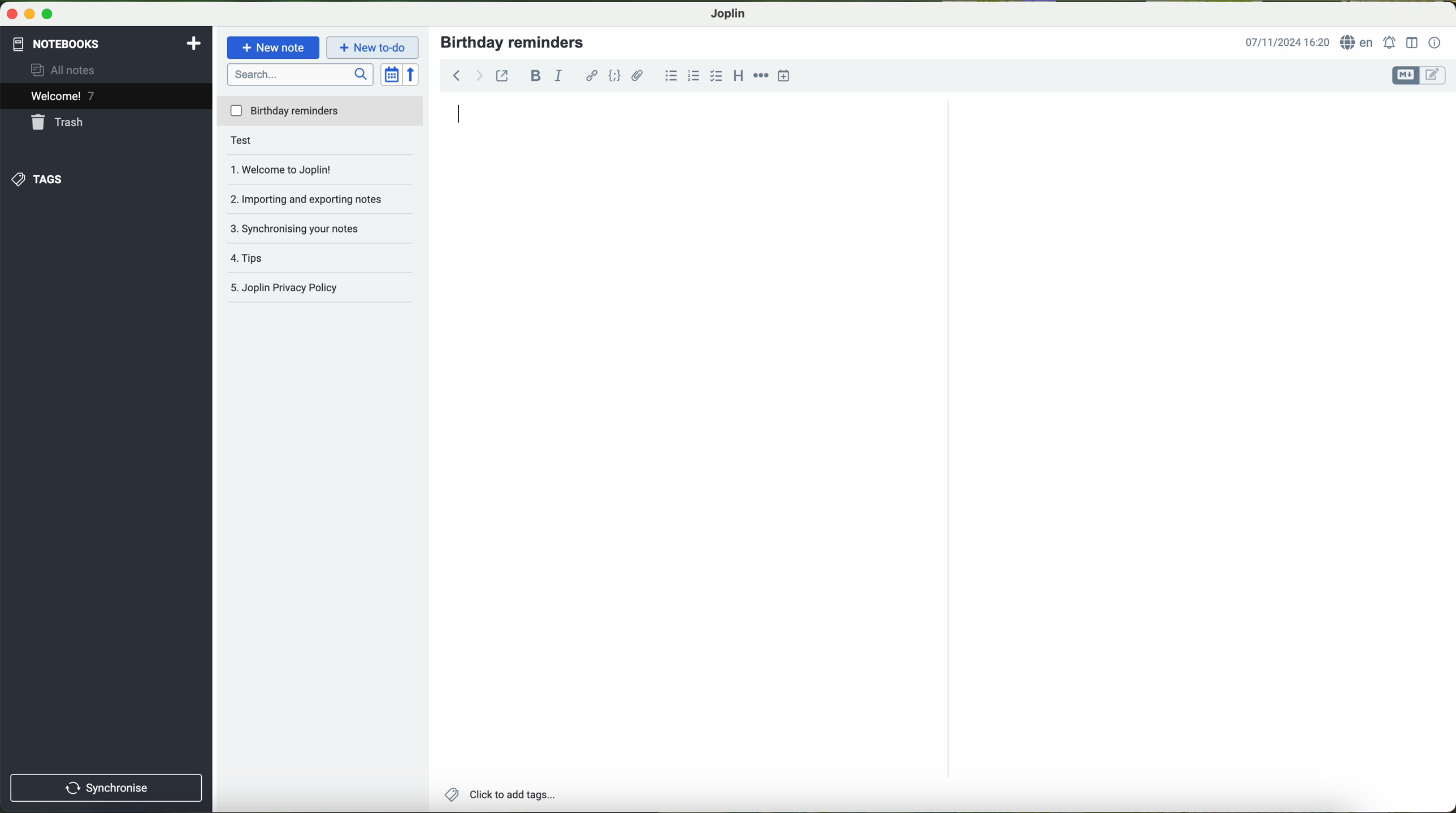 The width and height of the screenshot is (1456, 813). I want to click on welcome 6, so click(64, 97).